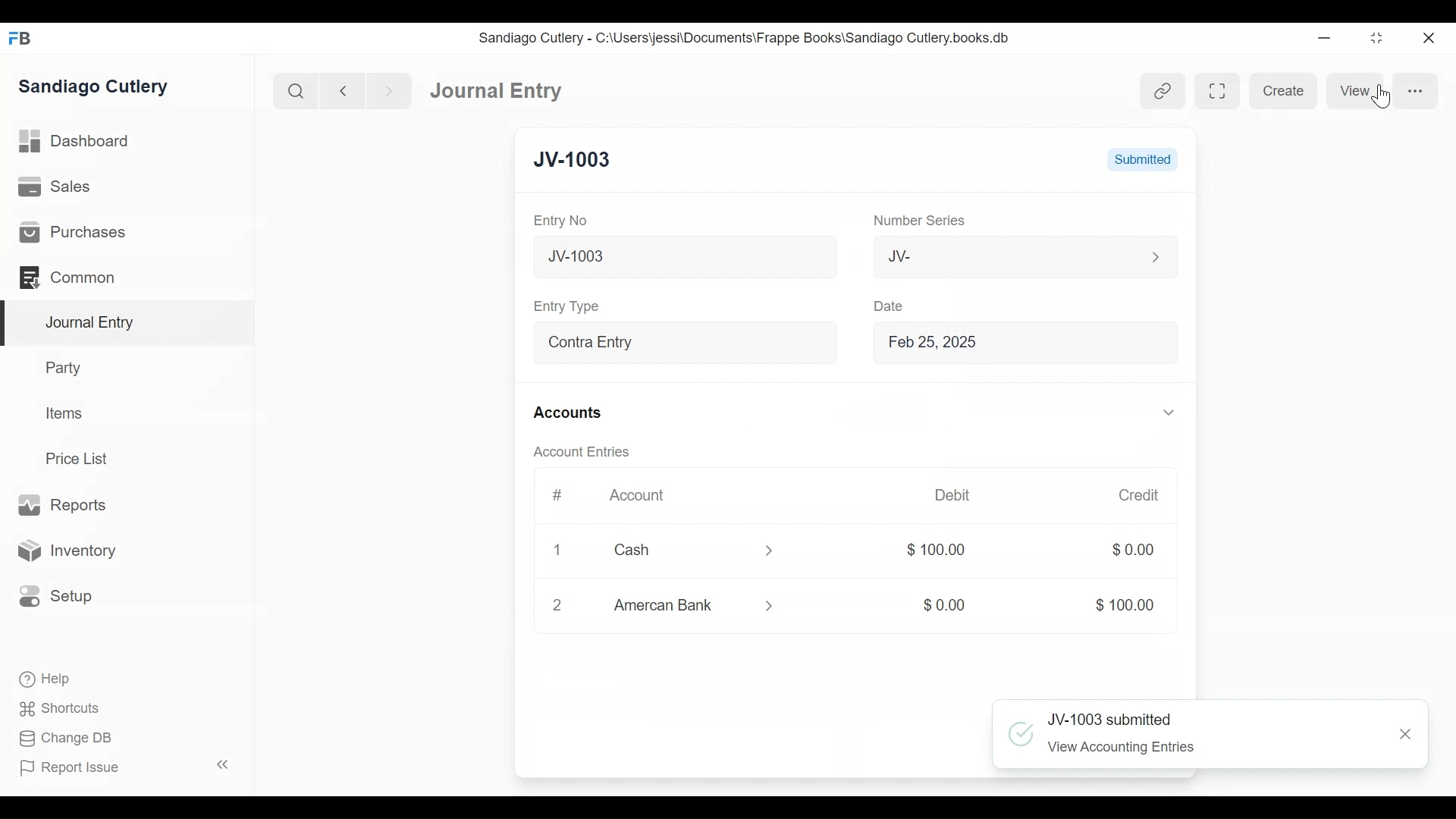 This screenshot has width=1456, height=819. I want to click on $0.00, so click(934, 605).